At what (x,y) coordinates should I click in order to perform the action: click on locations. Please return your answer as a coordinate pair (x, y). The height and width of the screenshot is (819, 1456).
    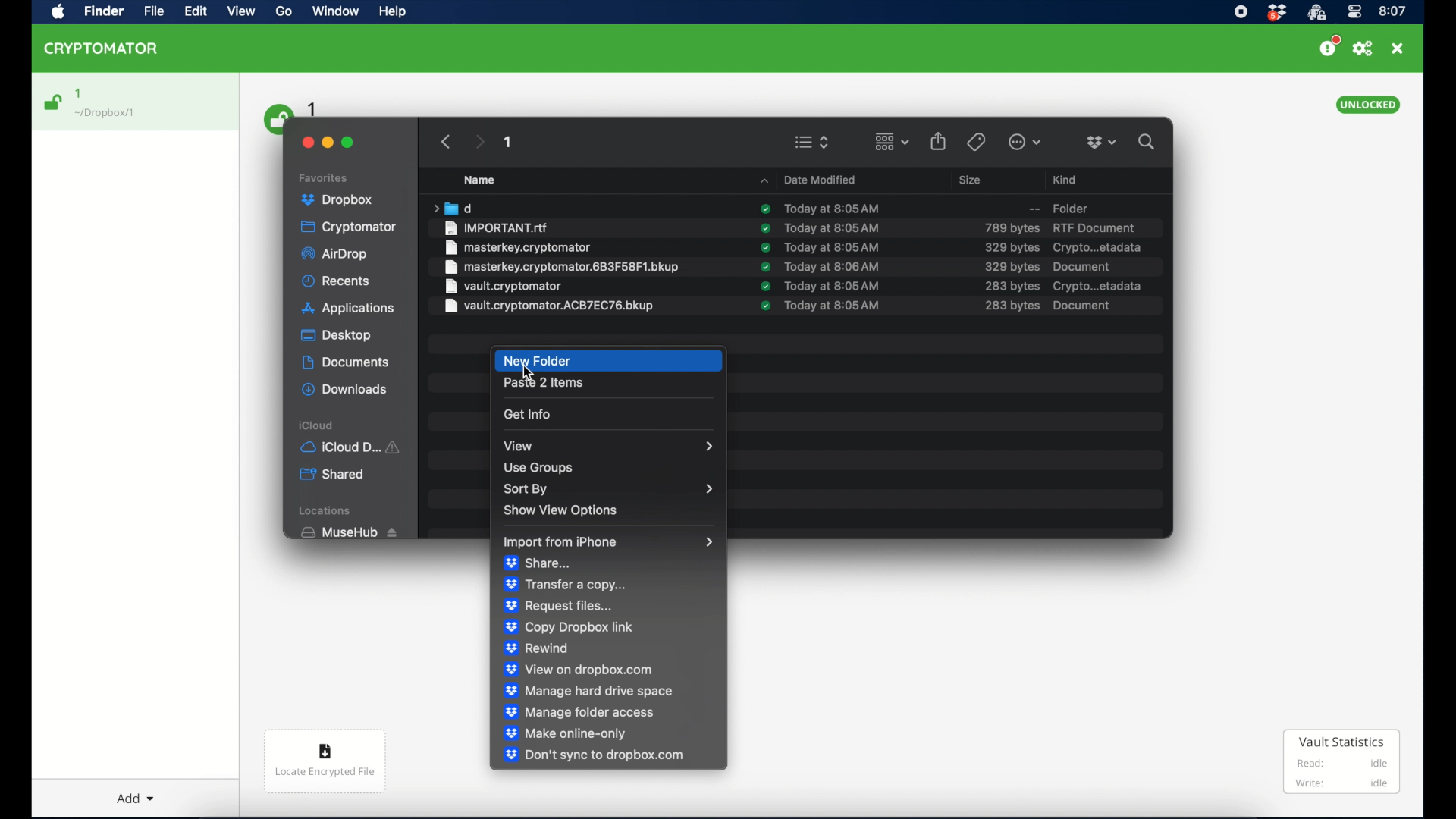
    Looking at the image, I should click on (328, 511).